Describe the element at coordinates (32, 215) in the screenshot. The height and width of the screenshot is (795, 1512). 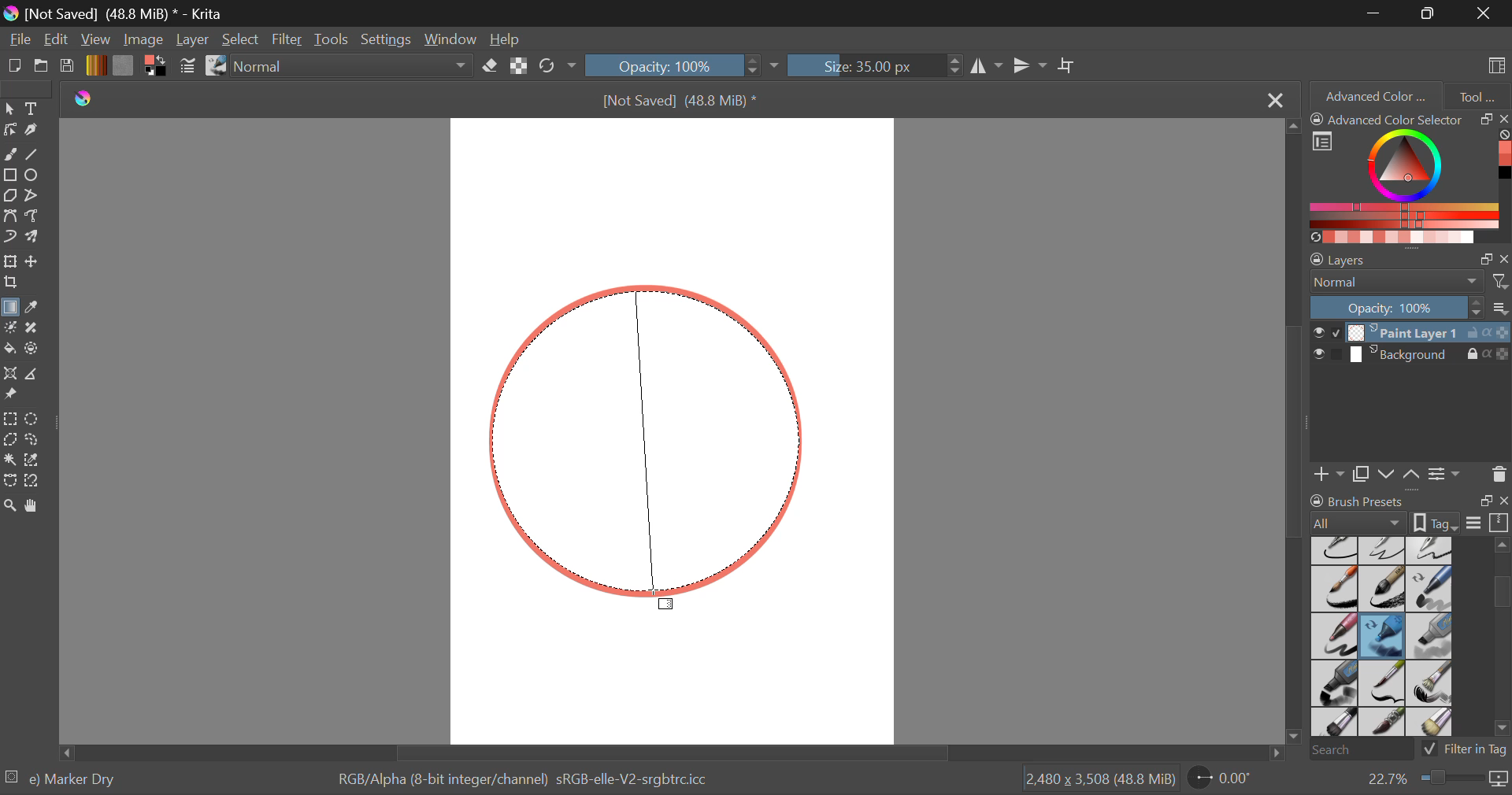
I see `Freehand Path Tool` at that location.